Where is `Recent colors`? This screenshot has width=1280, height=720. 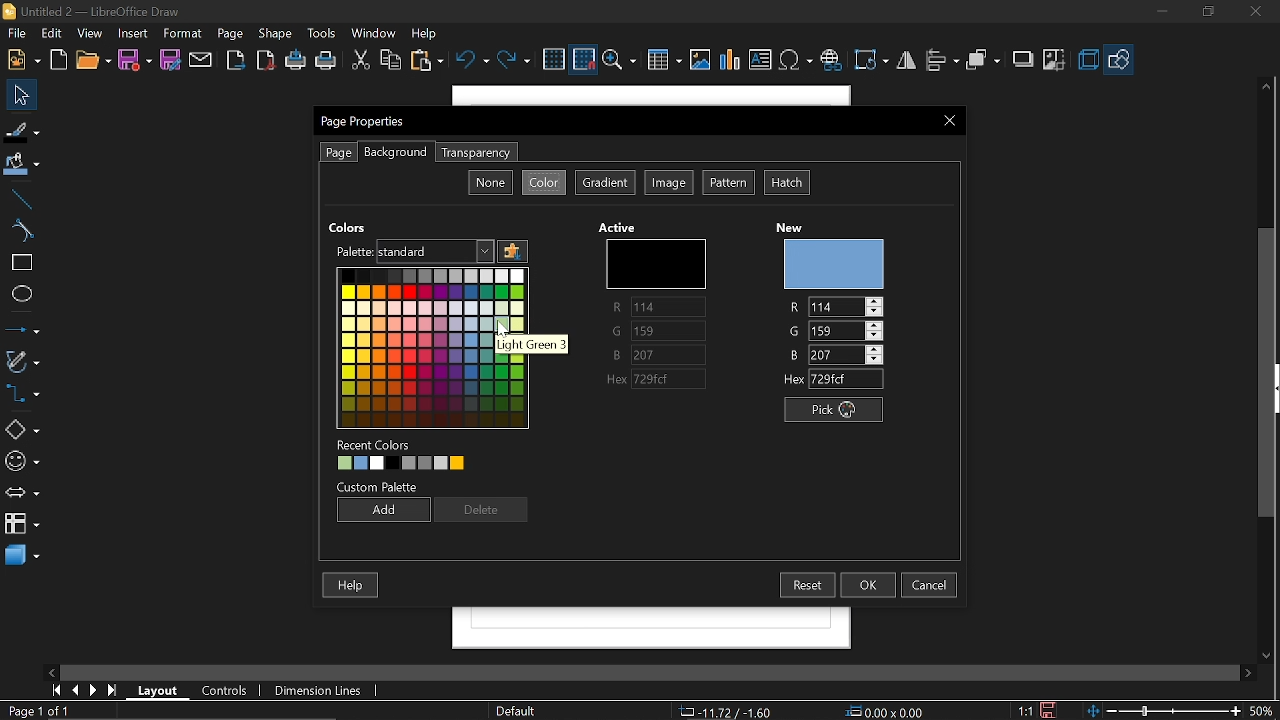
Recent colors is located at coordinates (376, 444).